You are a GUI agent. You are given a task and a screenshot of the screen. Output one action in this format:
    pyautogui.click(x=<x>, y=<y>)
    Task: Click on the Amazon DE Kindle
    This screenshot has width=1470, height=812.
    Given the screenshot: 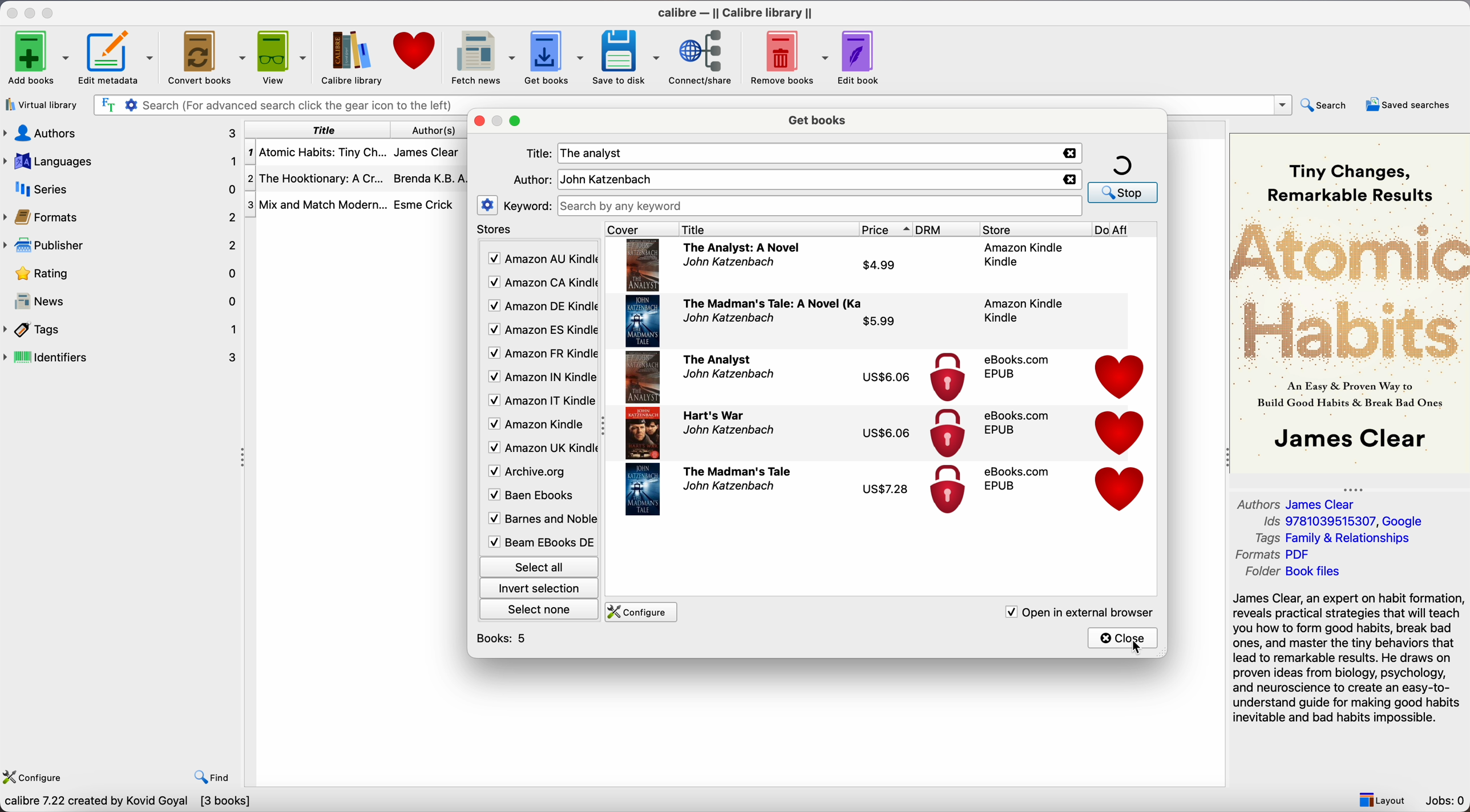 What is the action you would take?
    pyautogui.click(x=541, y=308)
    